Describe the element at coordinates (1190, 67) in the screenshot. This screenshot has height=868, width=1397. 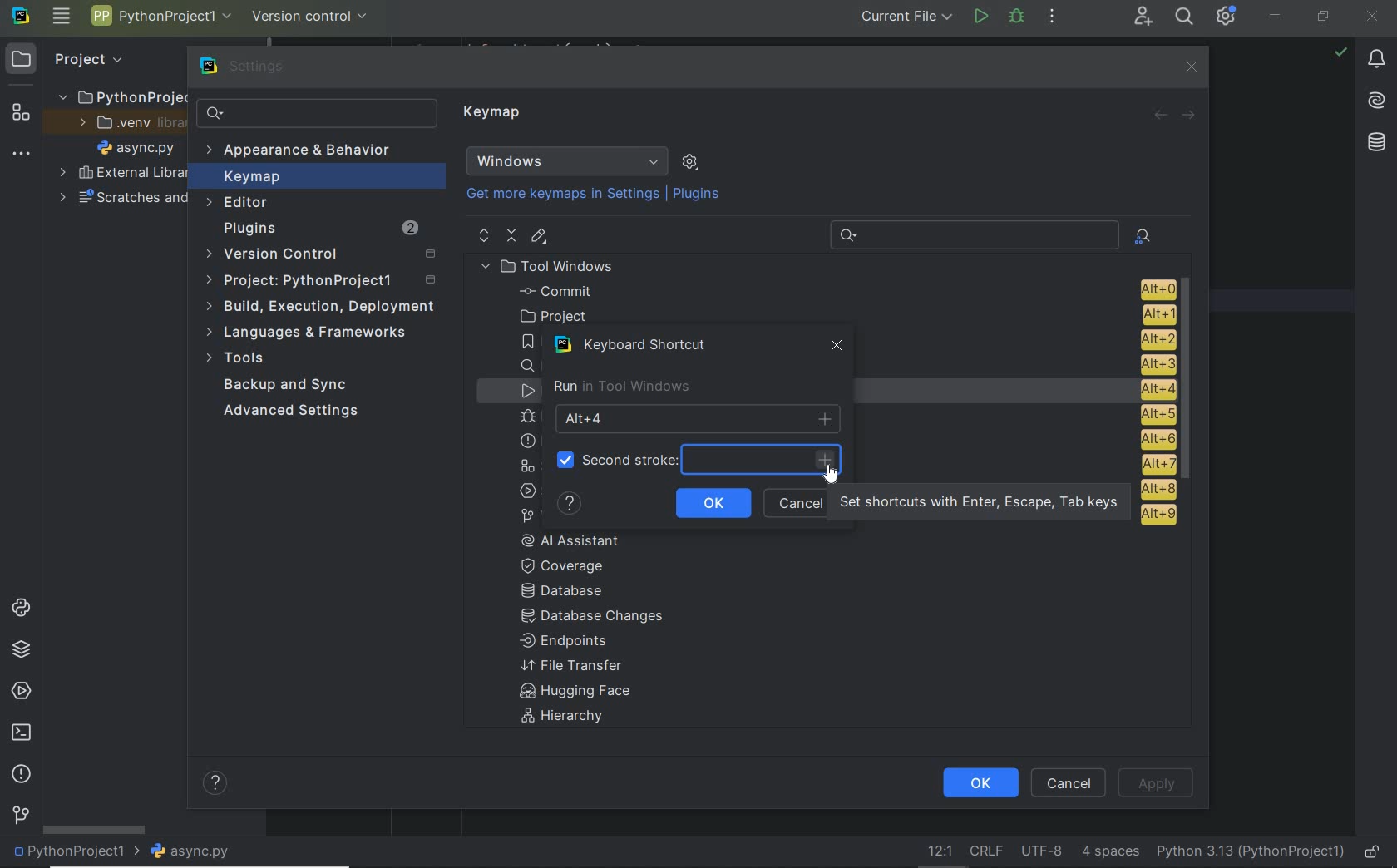
I see `close` at that location.